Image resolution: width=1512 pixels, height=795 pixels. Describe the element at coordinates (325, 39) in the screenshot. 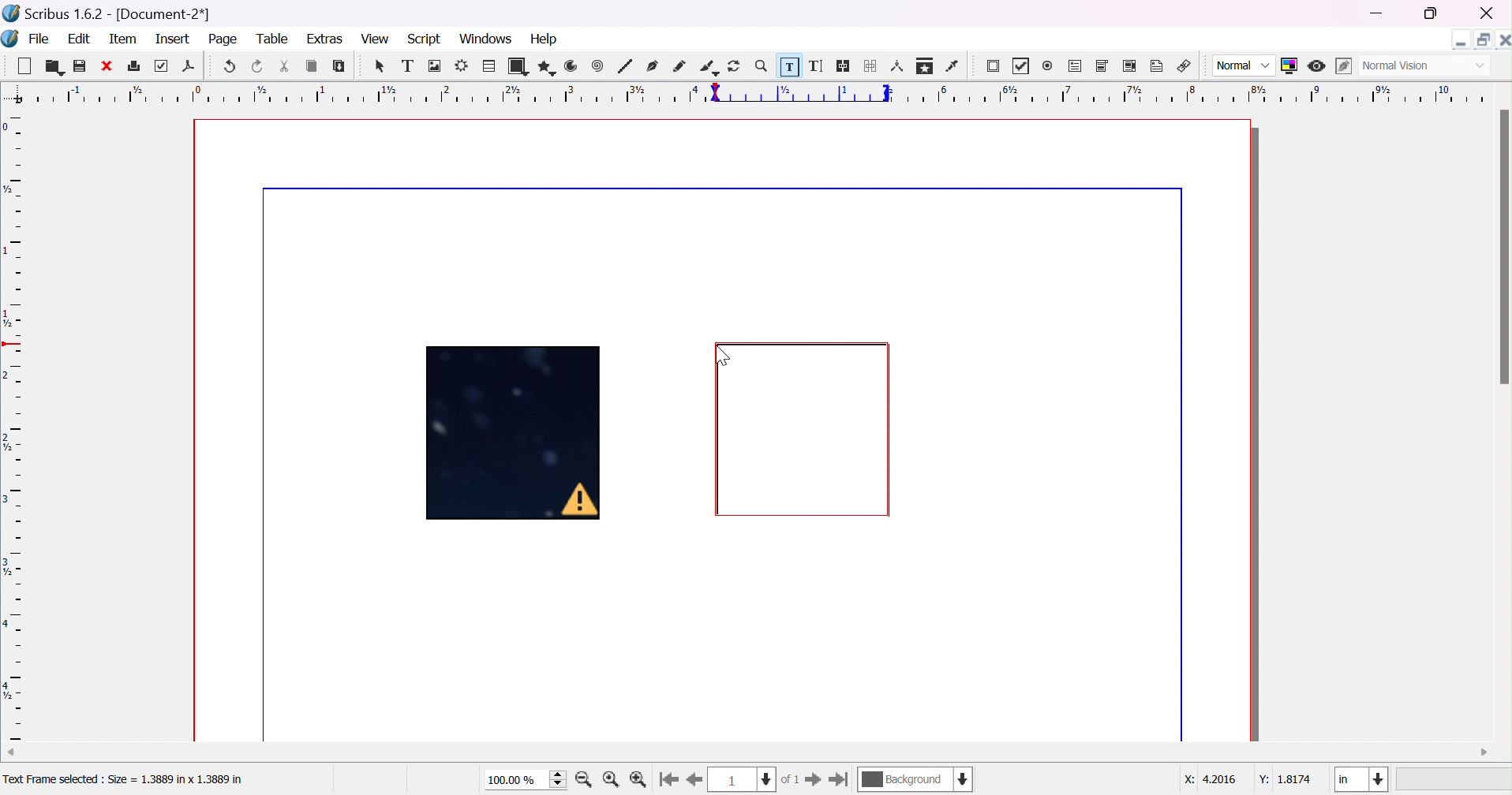

I see `extras` at that location.